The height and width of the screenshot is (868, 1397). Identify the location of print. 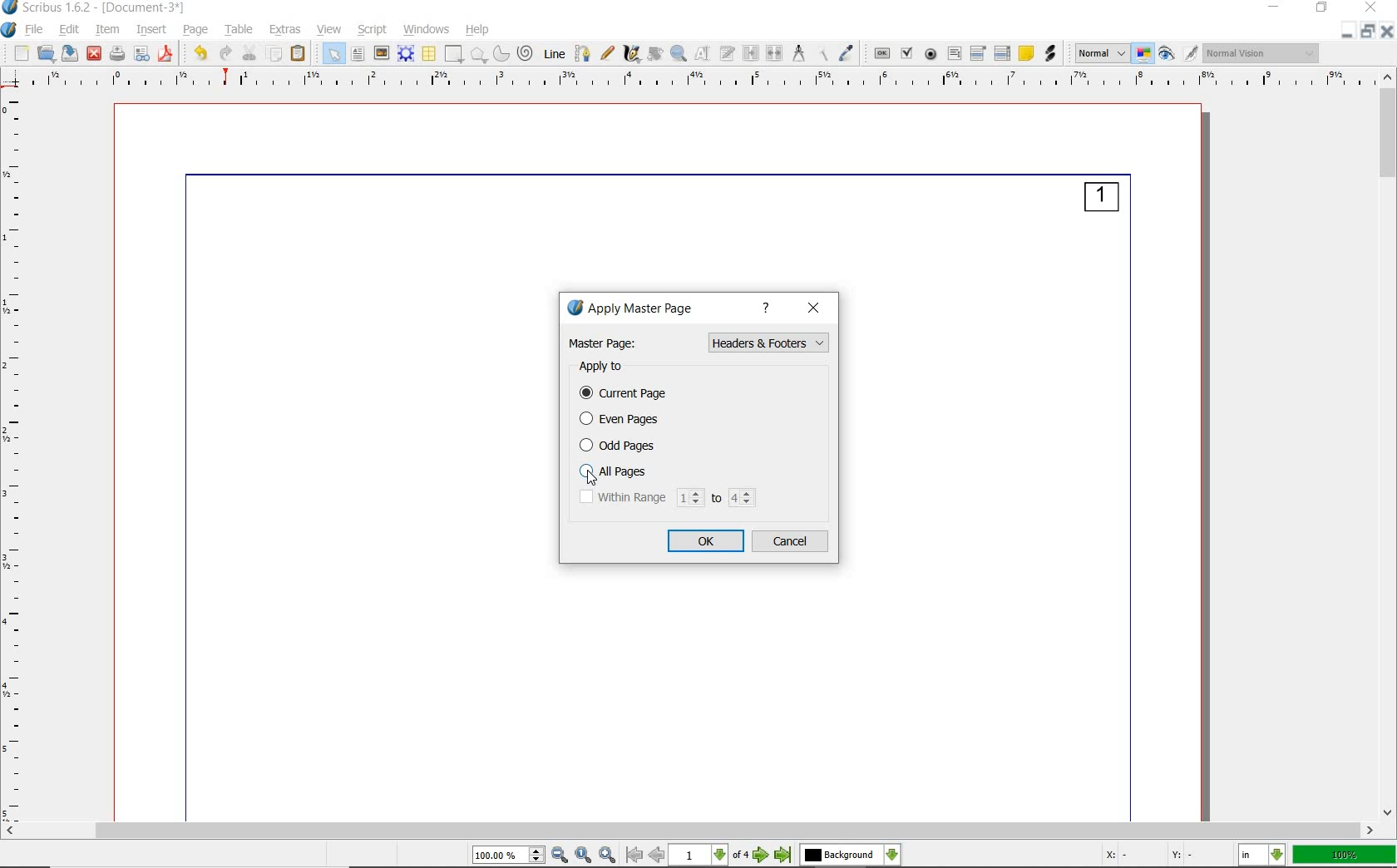
(118, 54).